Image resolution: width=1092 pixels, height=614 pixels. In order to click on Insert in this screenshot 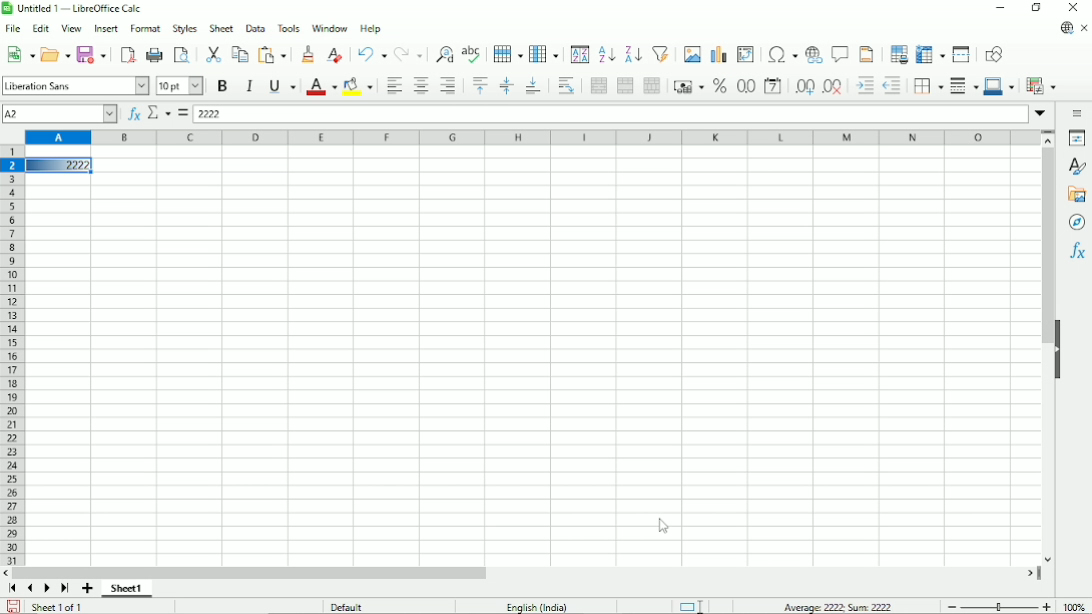, I will do `click(107, 28)`.